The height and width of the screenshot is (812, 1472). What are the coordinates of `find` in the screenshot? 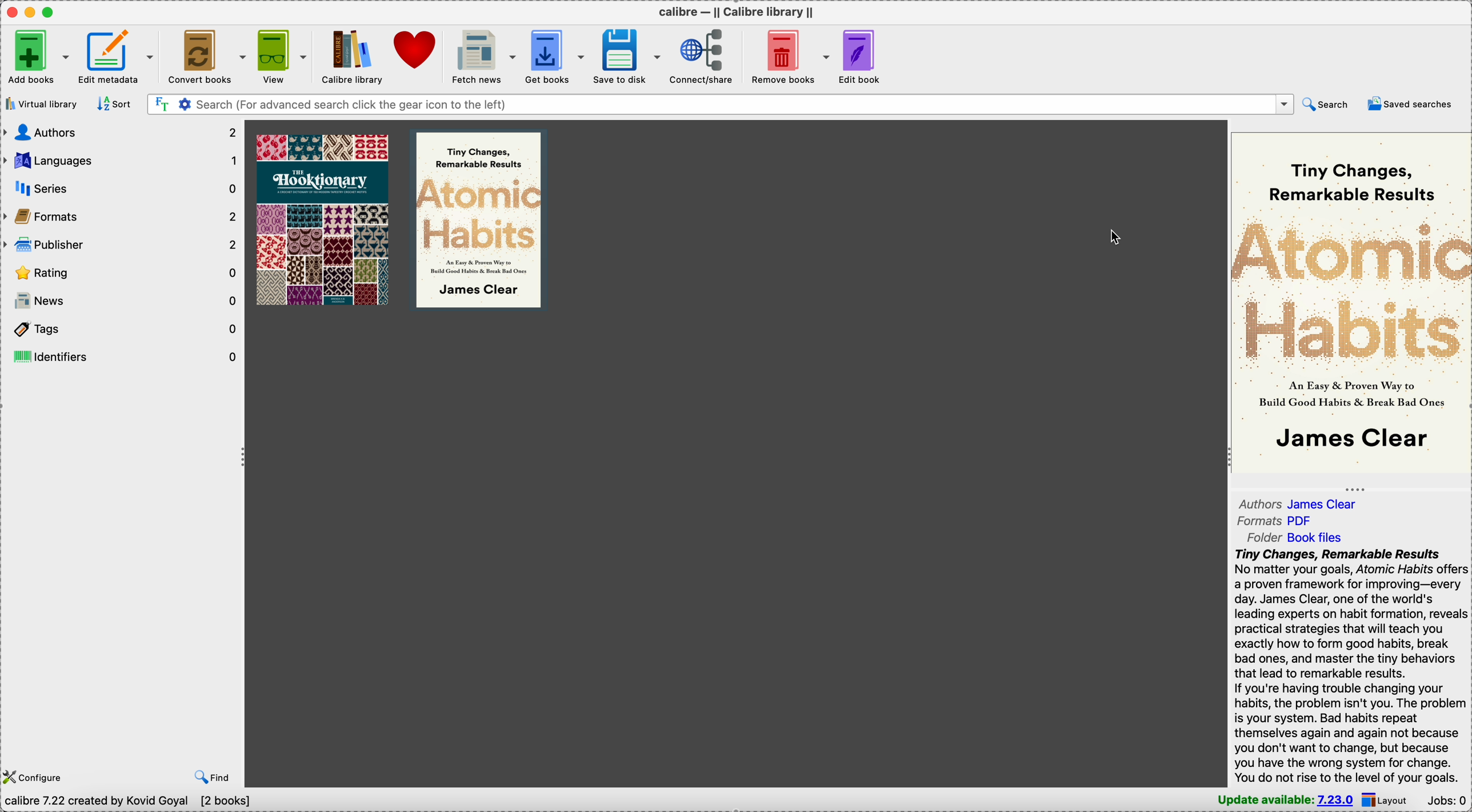 It's located at (211, 778).